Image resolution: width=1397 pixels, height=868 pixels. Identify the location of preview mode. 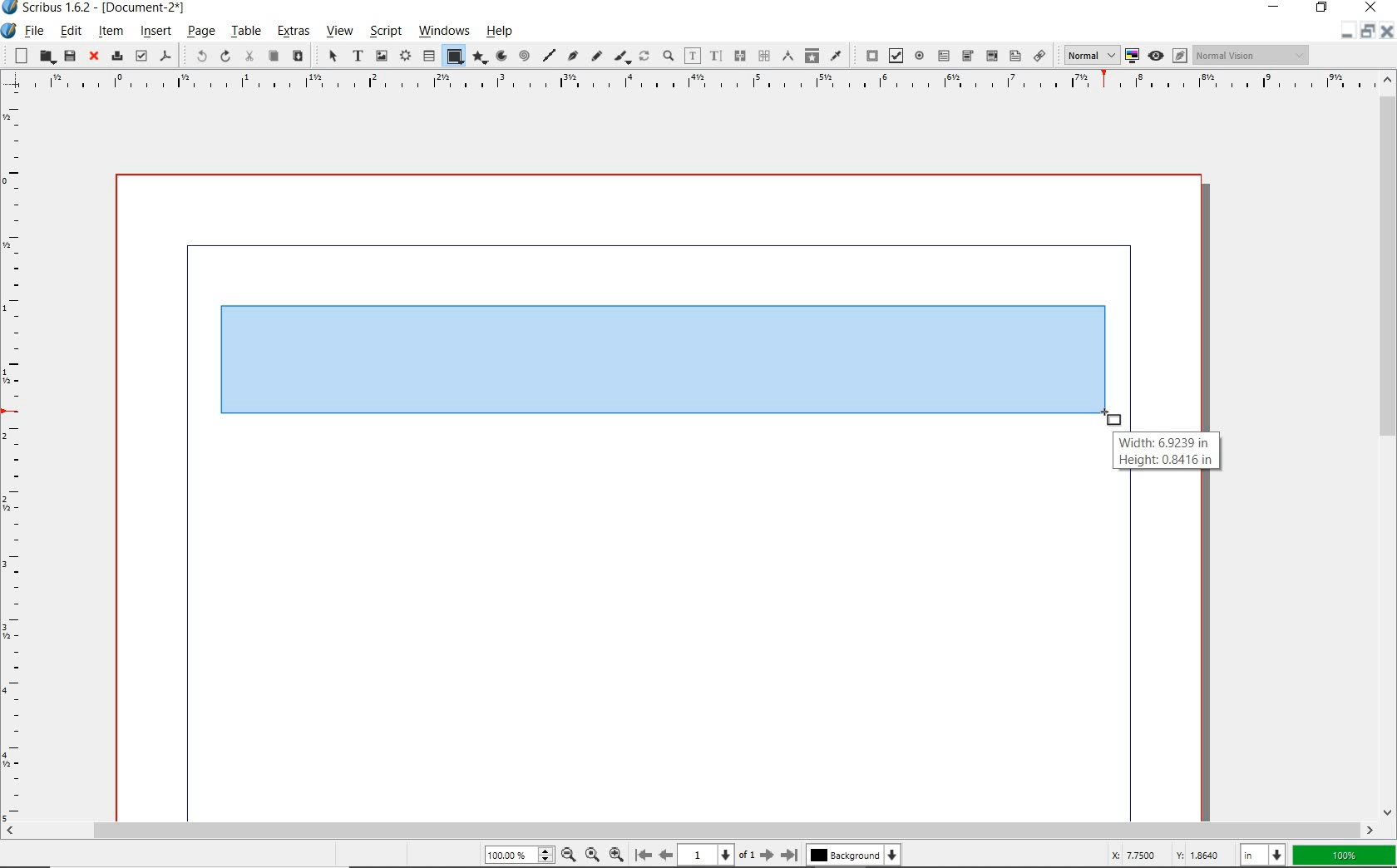
(1166, 56).